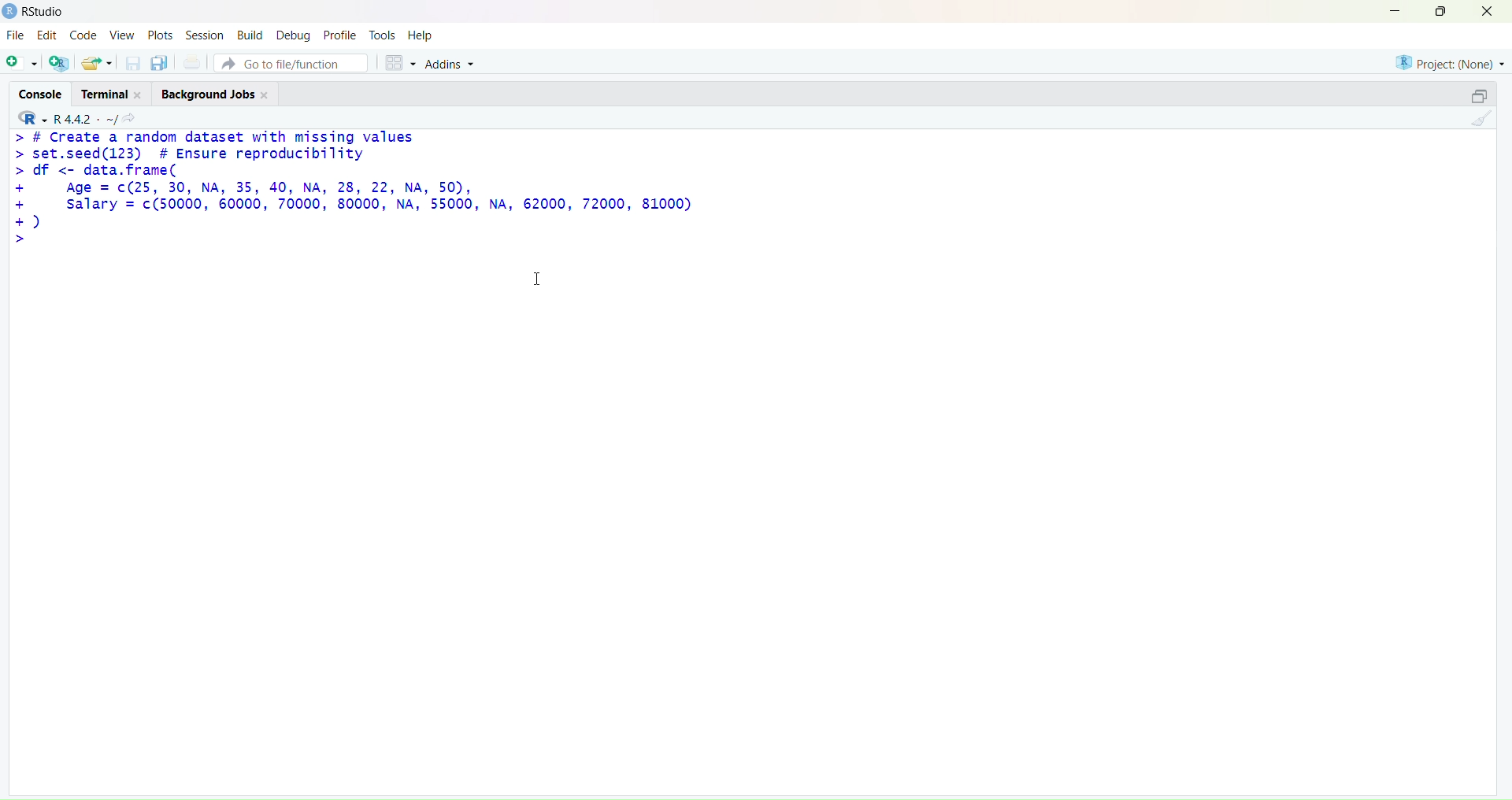 The width and height of the screenshot is (1512, 800). What do you see at coordinates (401, 65) in the screenshot?
I see `workspace panes` at bounding box center [401, 65].